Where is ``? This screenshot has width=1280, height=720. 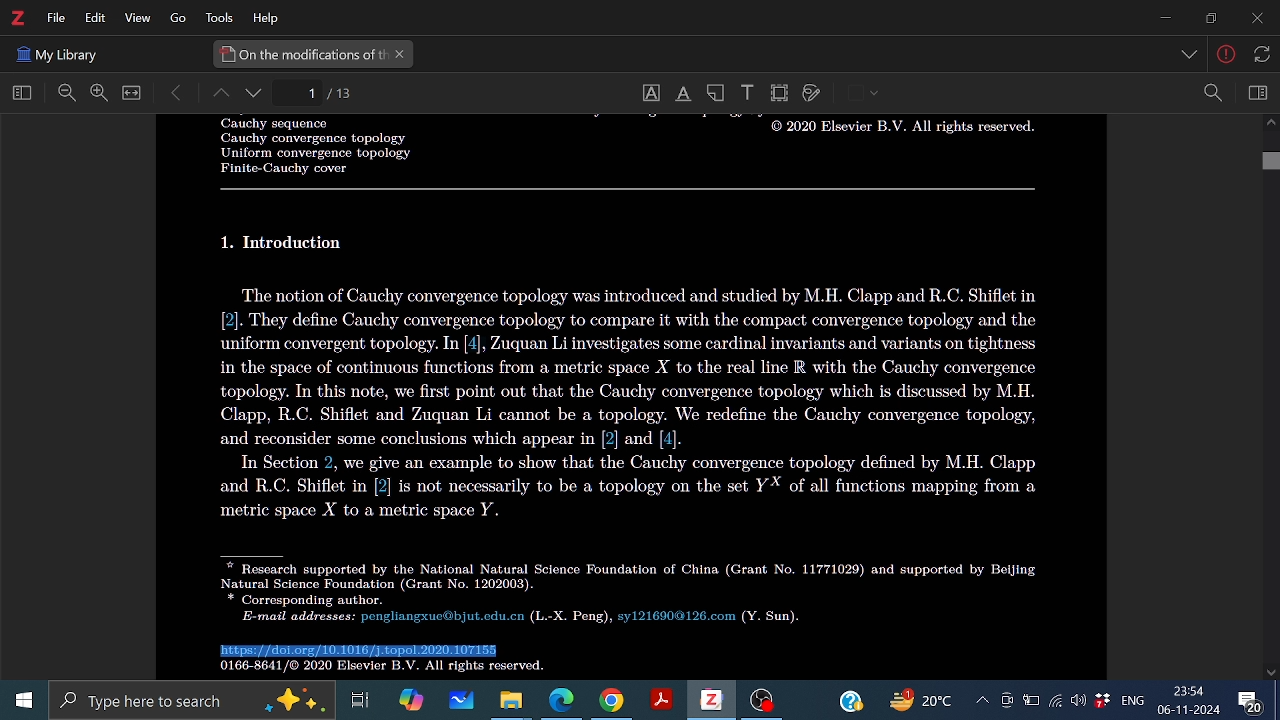
 is located at coordinates (1227, 57).